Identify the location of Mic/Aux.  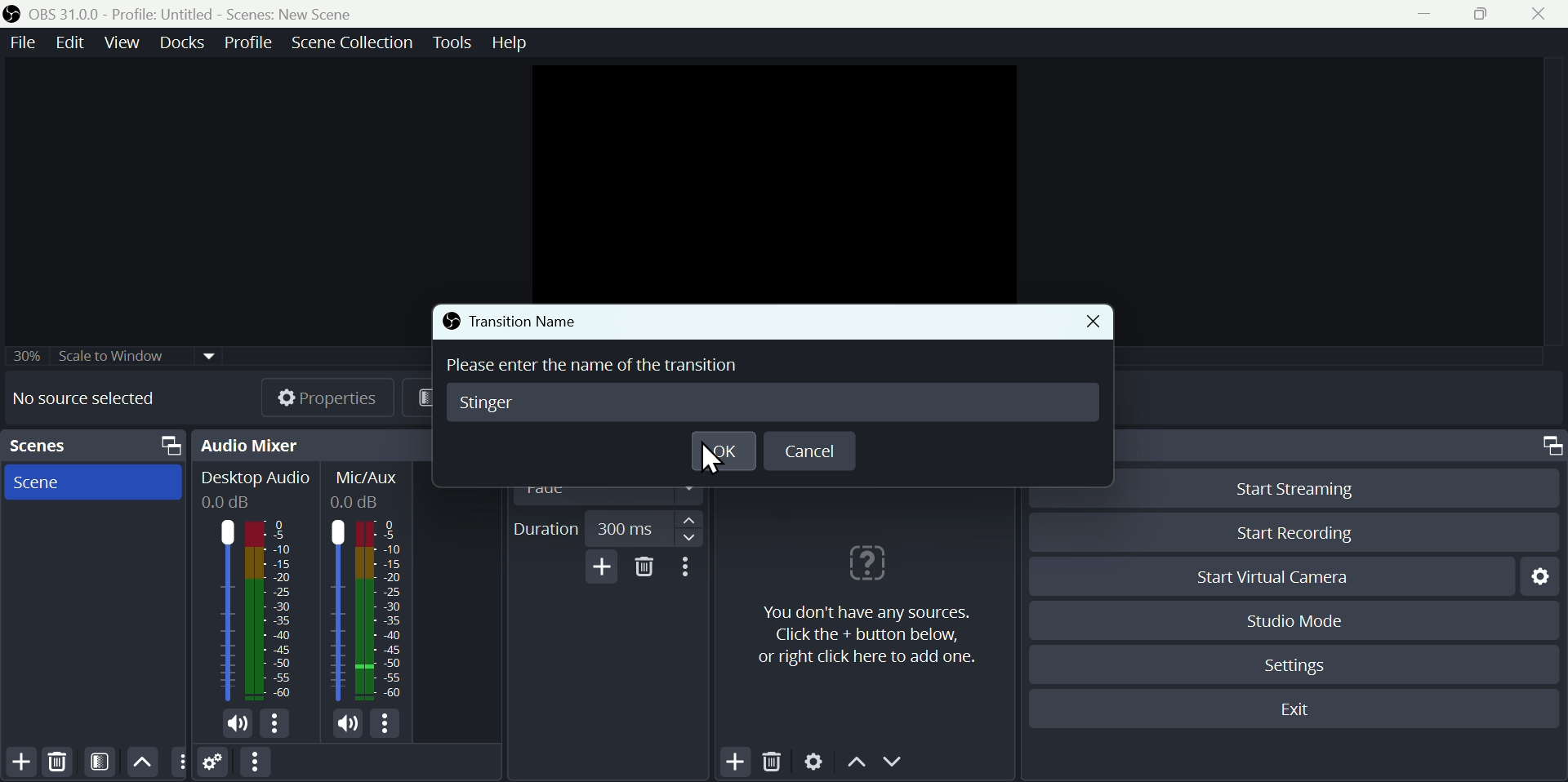
(366, 486).